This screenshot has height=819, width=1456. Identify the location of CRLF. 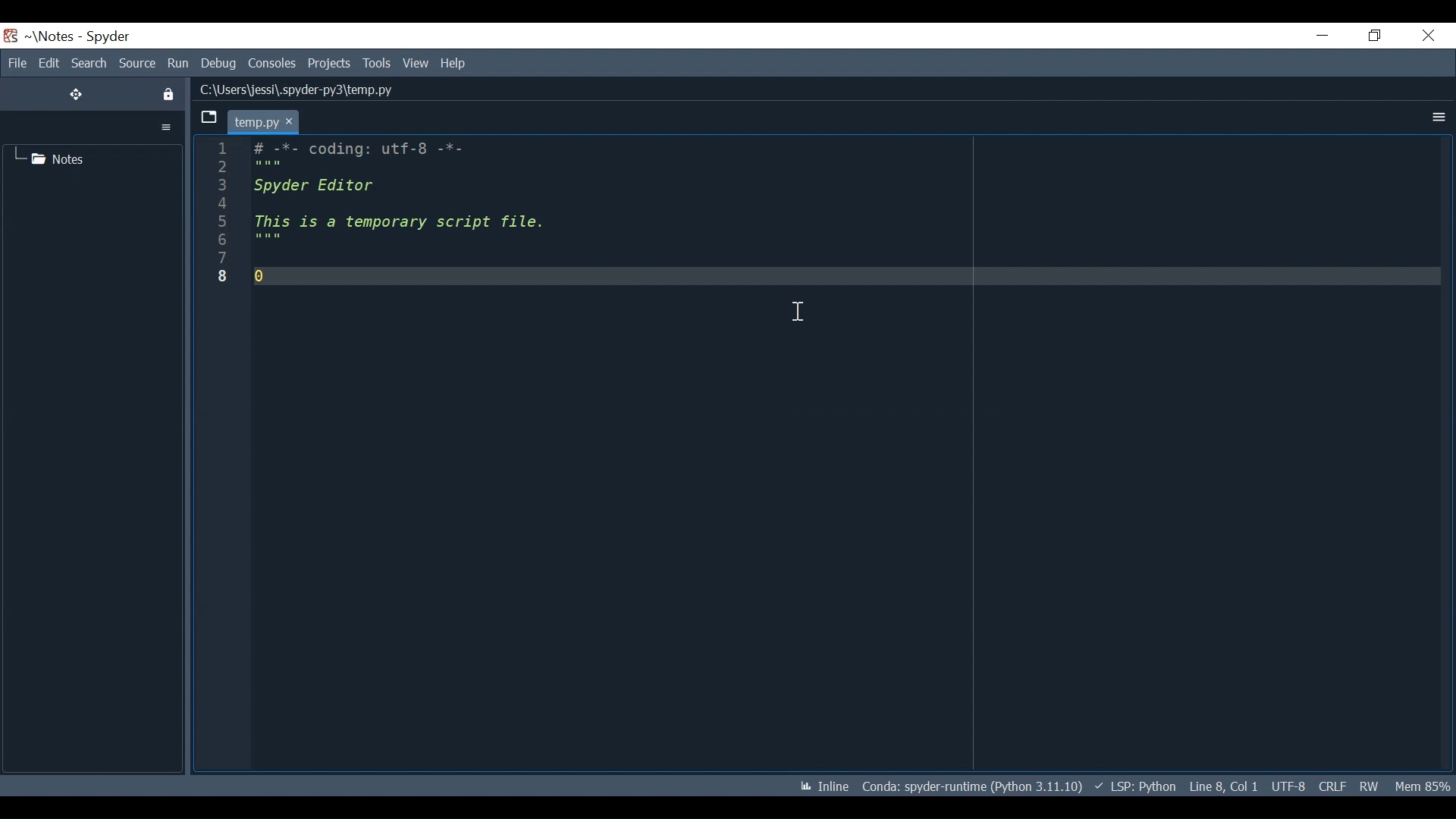
(1330, 786).